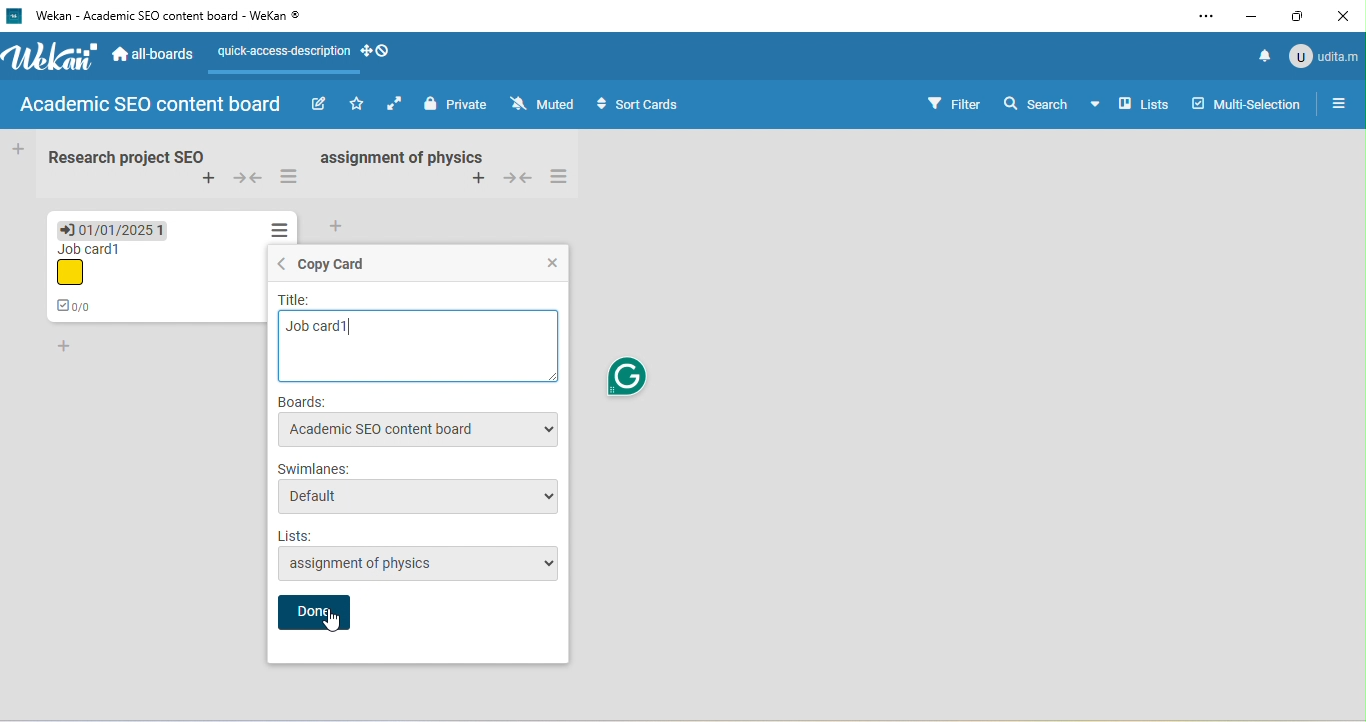 This screenshot has width=1366, height=722. Describe the element at coordinates (15, 15) in the screenshot. I see `wekan logo` at that location.